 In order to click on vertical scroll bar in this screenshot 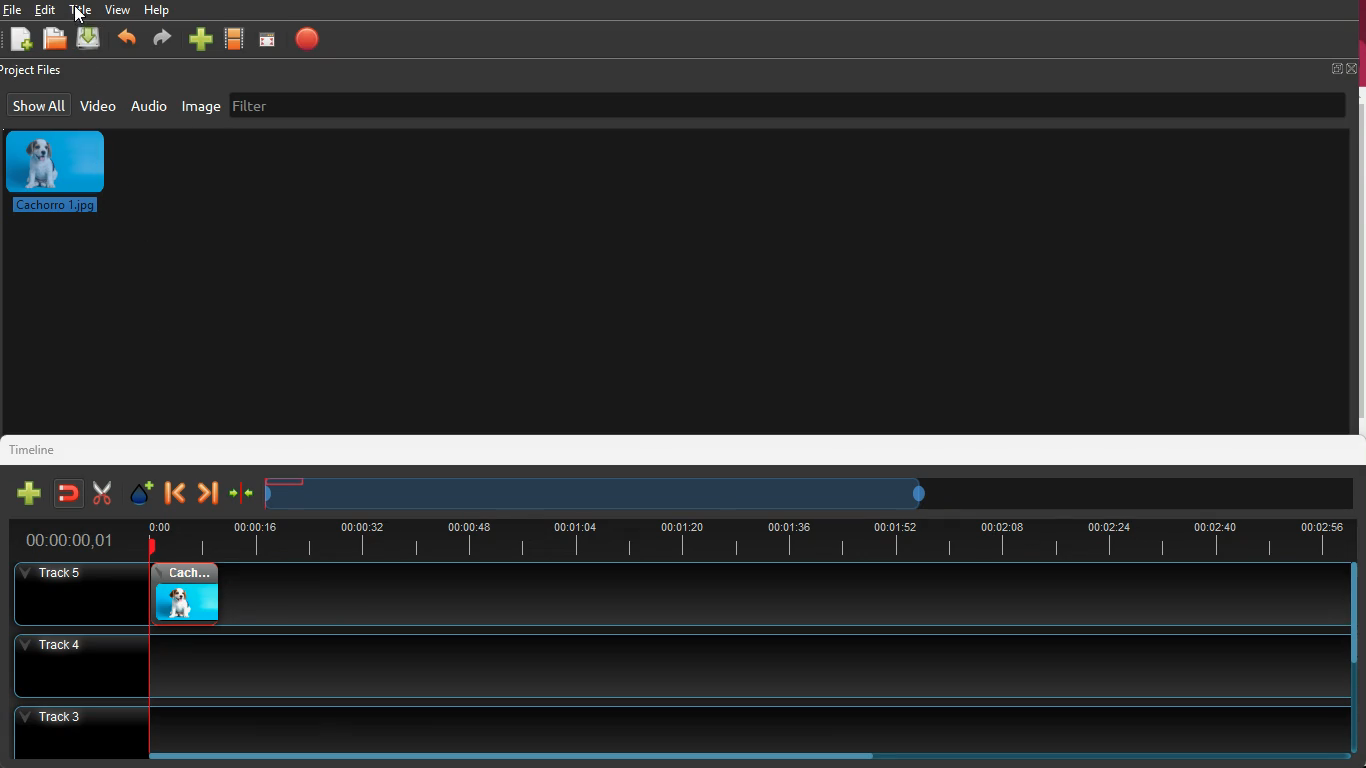, I will do `click(1357, 611)`.